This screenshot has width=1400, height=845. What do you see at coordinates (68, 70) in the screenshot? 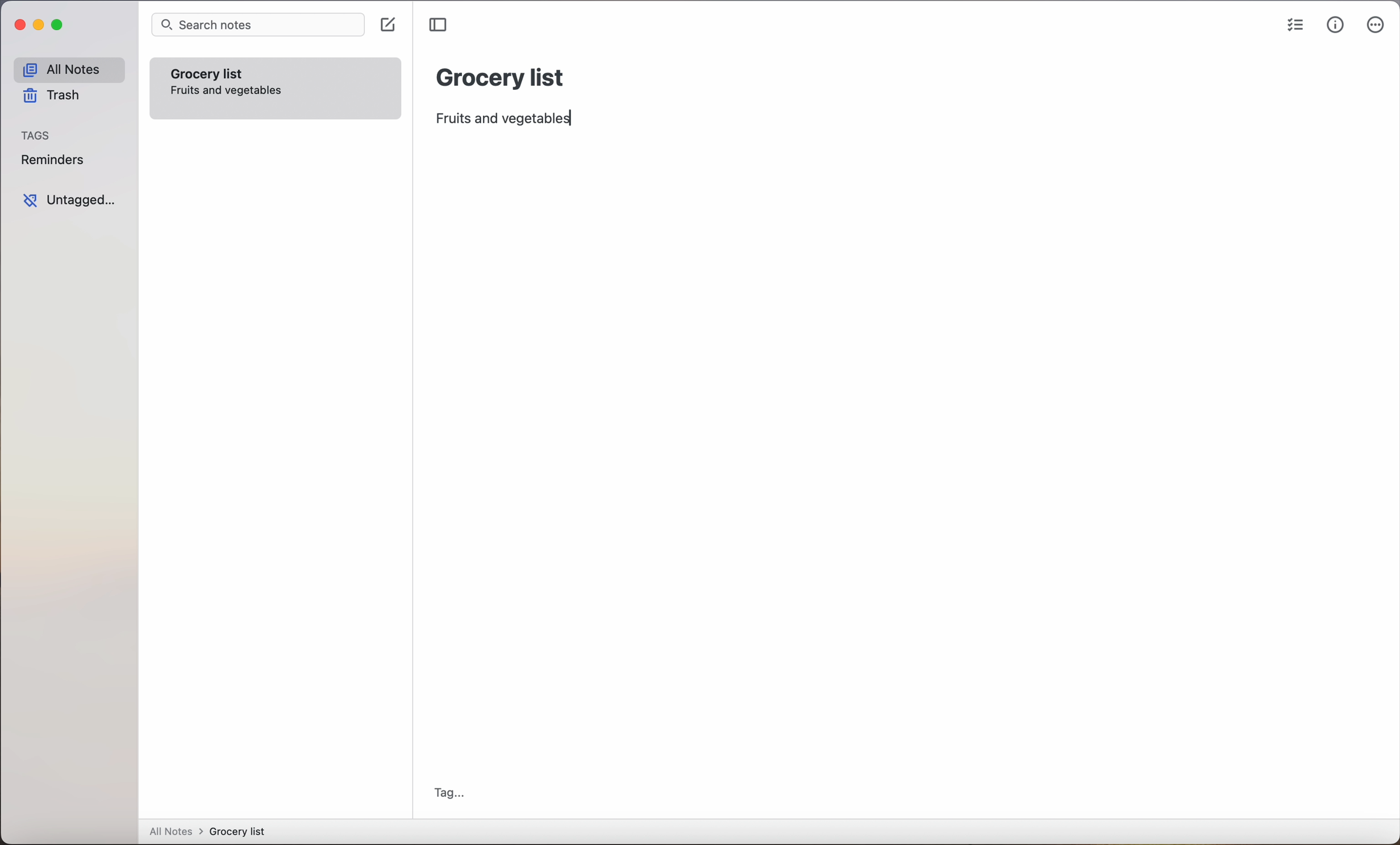
I see `all notes` at bounding box center [68, 70].